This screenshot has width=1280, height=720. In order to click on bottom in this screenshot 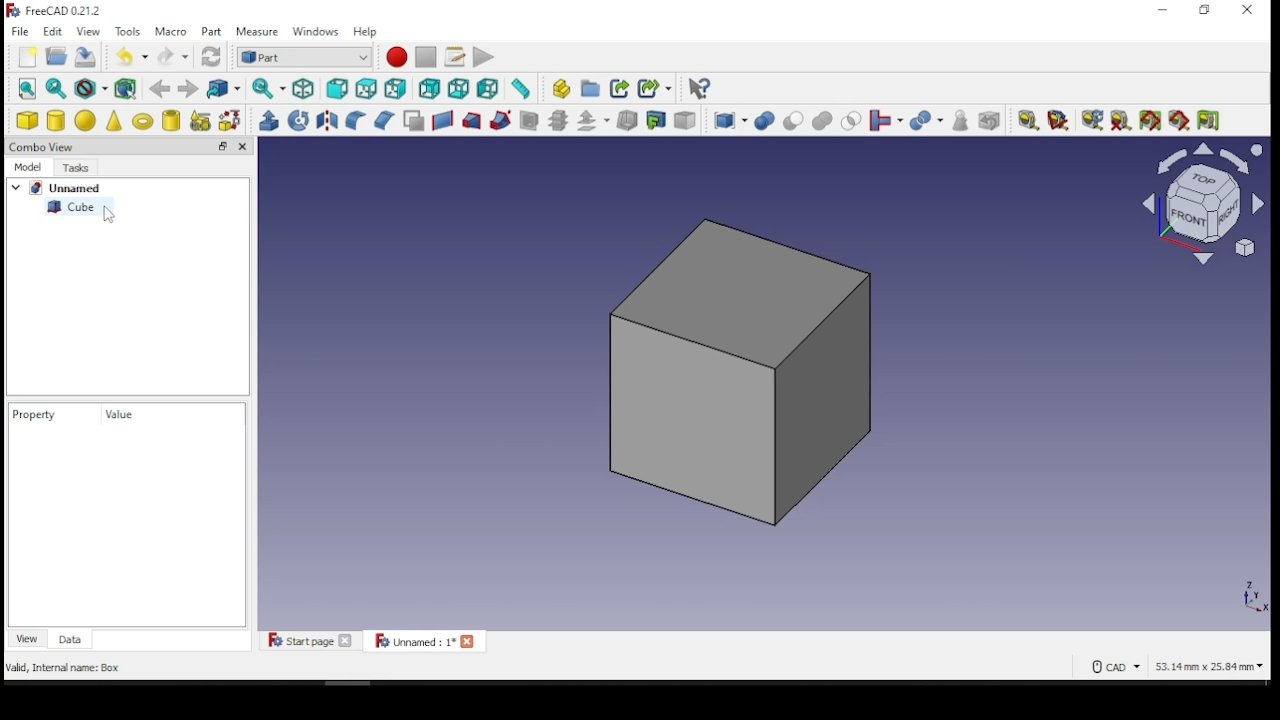, I will do `click(458, 89)`.